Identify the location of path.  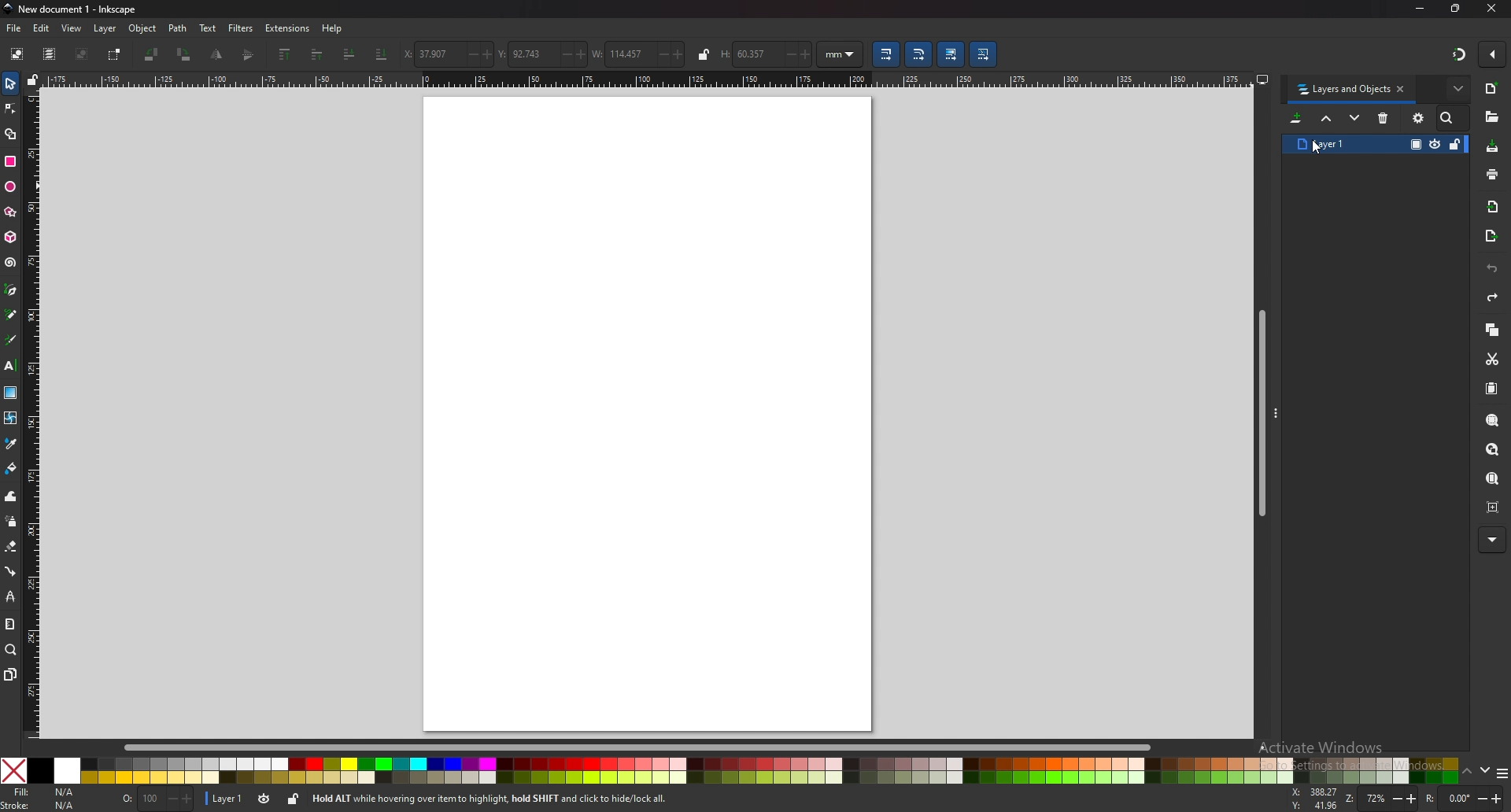
(178, 28).